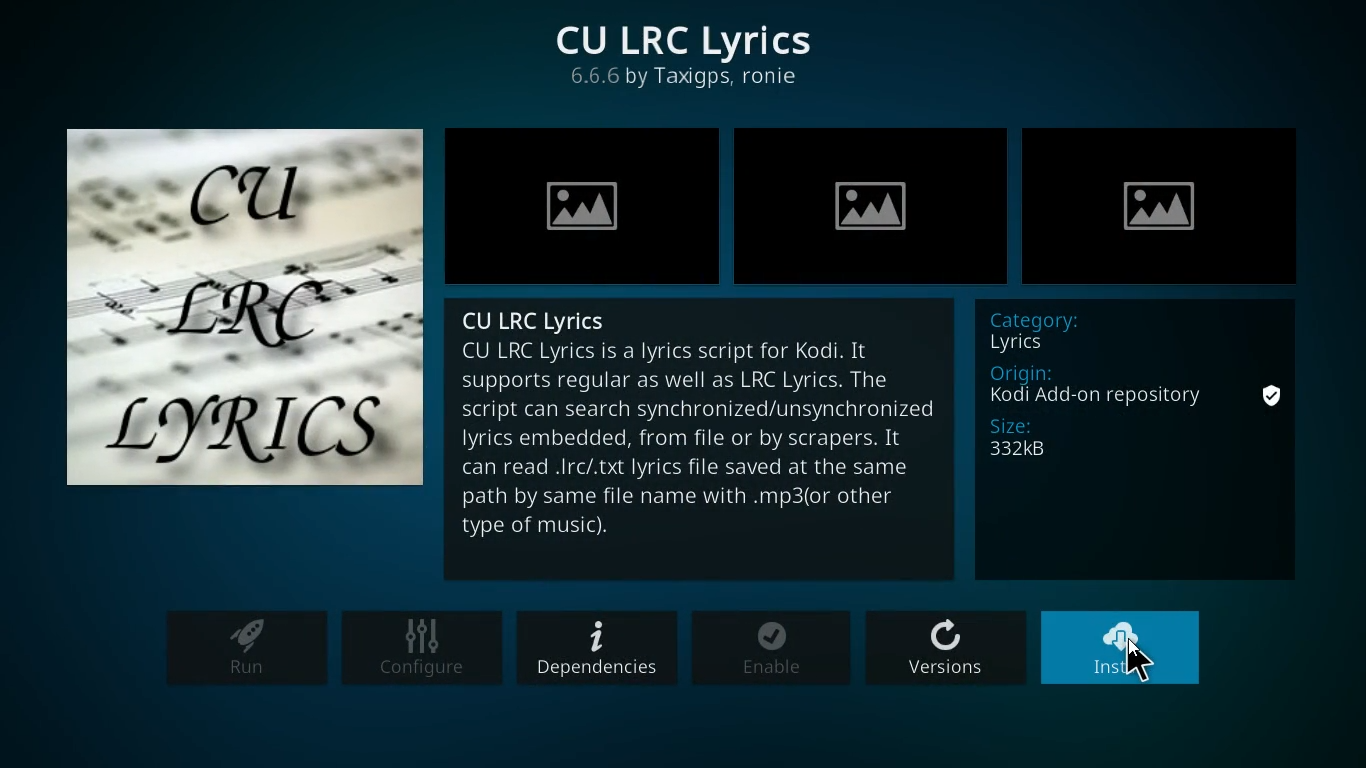 The image size is (1366, 768). Describe the element at coordinates (770, 646) in the screenshot. I see `enable` at that location.